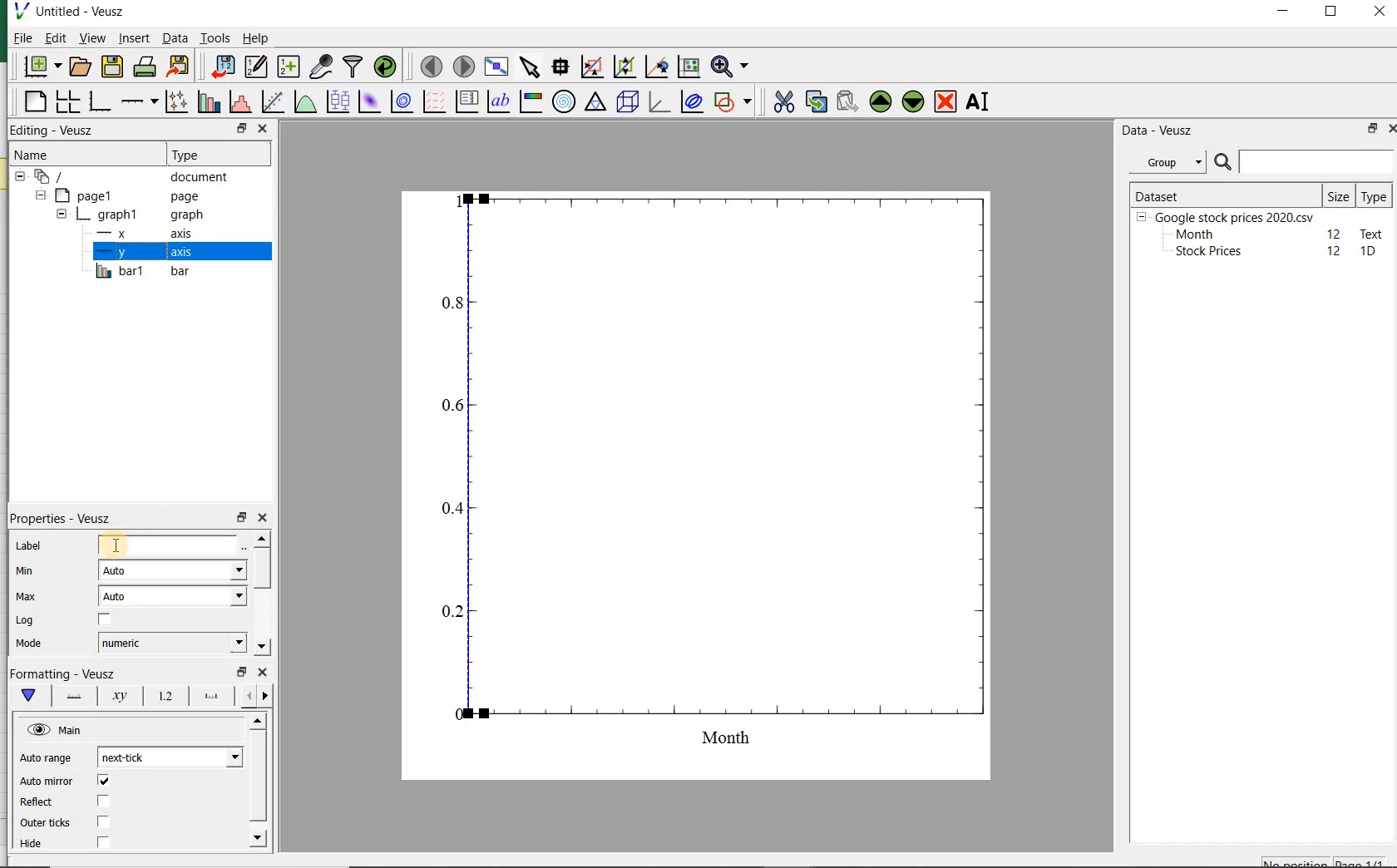  I want to click on restore, so click(242, 129).